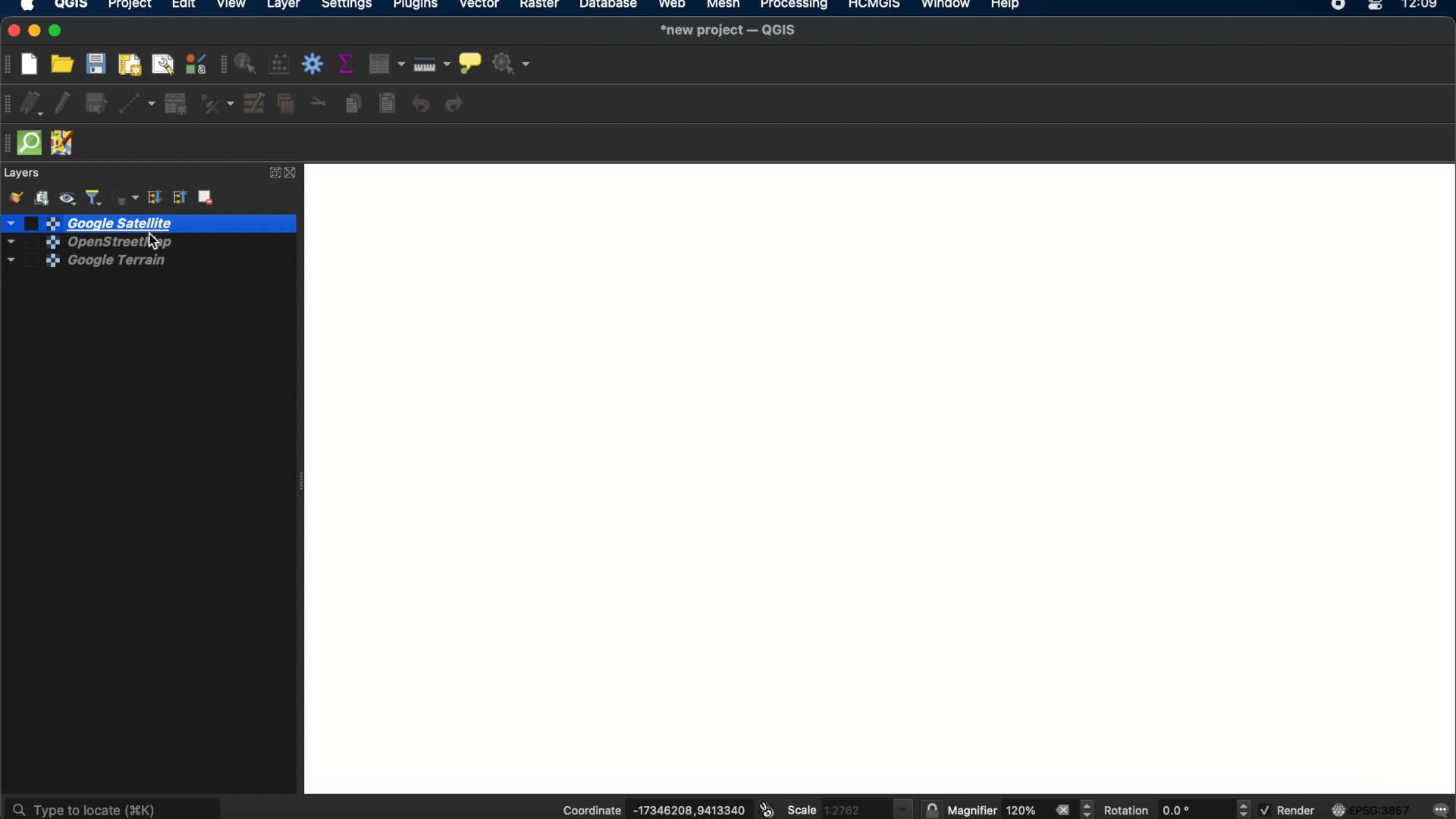  I want to click on add record, so click(175, 104).